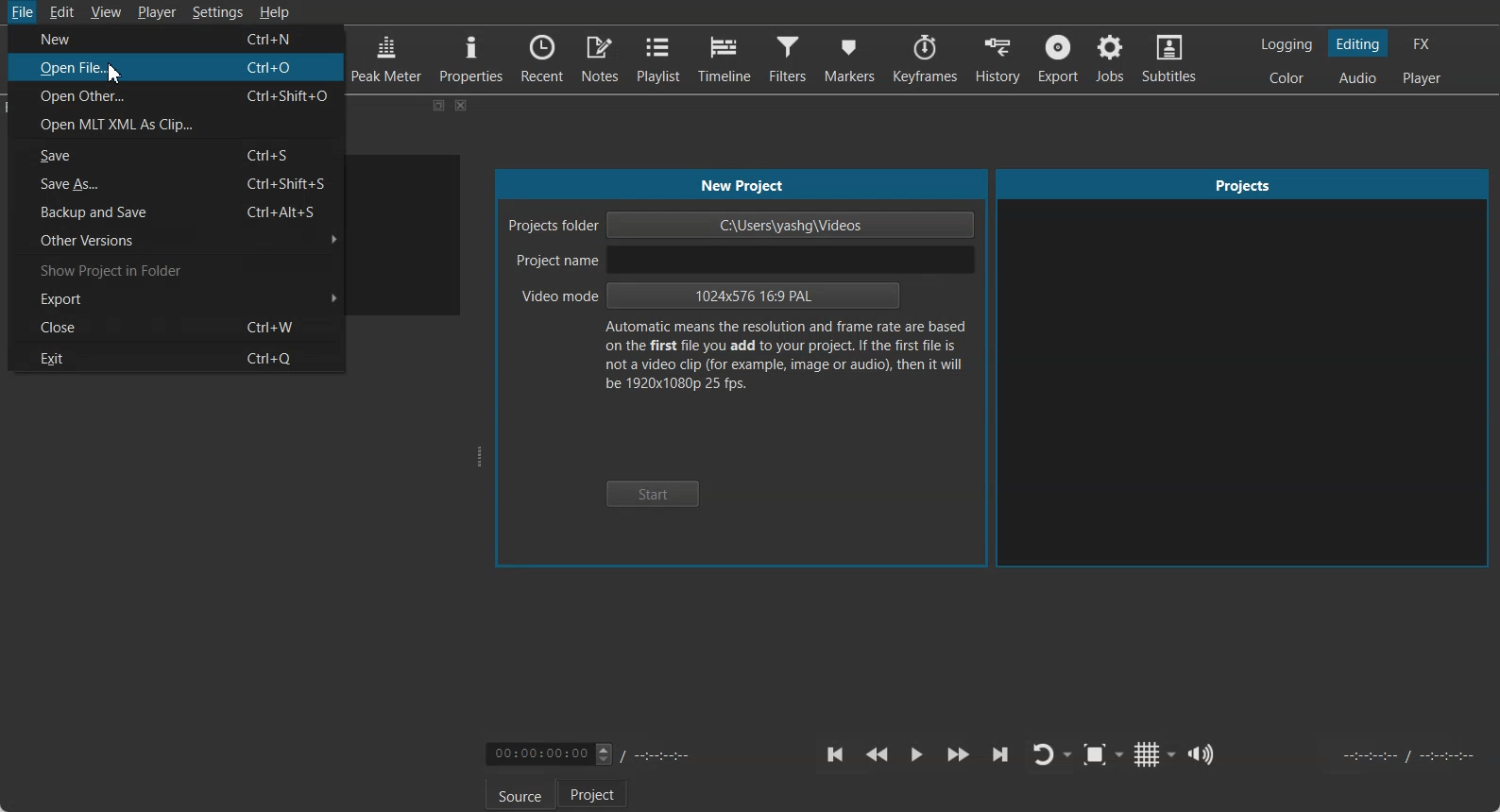  I want to click on Keyframes, so click(924, 59).